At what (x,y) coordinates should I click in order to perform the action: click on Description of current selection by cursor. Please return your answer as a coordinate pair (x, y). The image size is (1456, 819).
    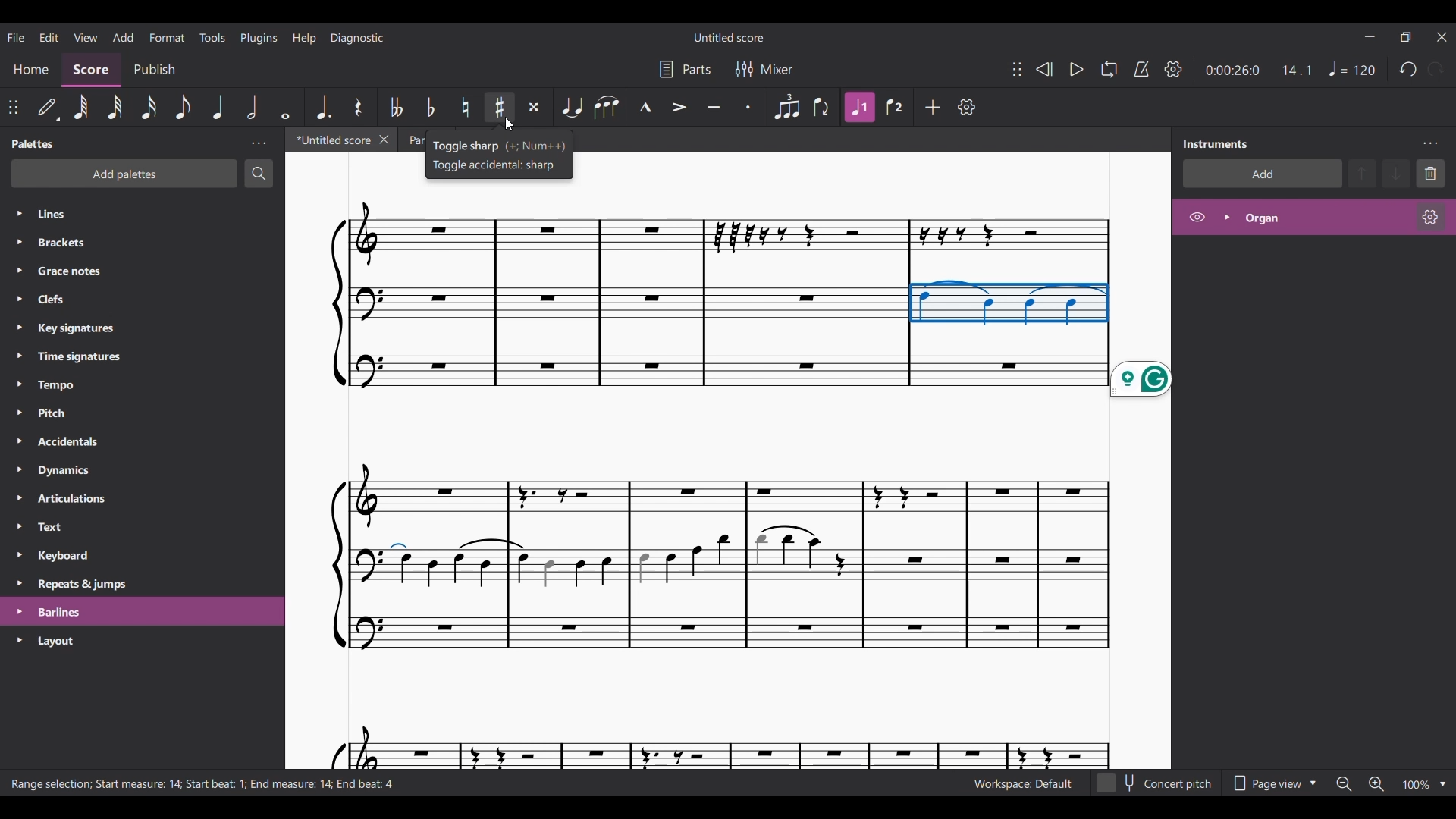
    Looking at the image, I should click on (497, 155).